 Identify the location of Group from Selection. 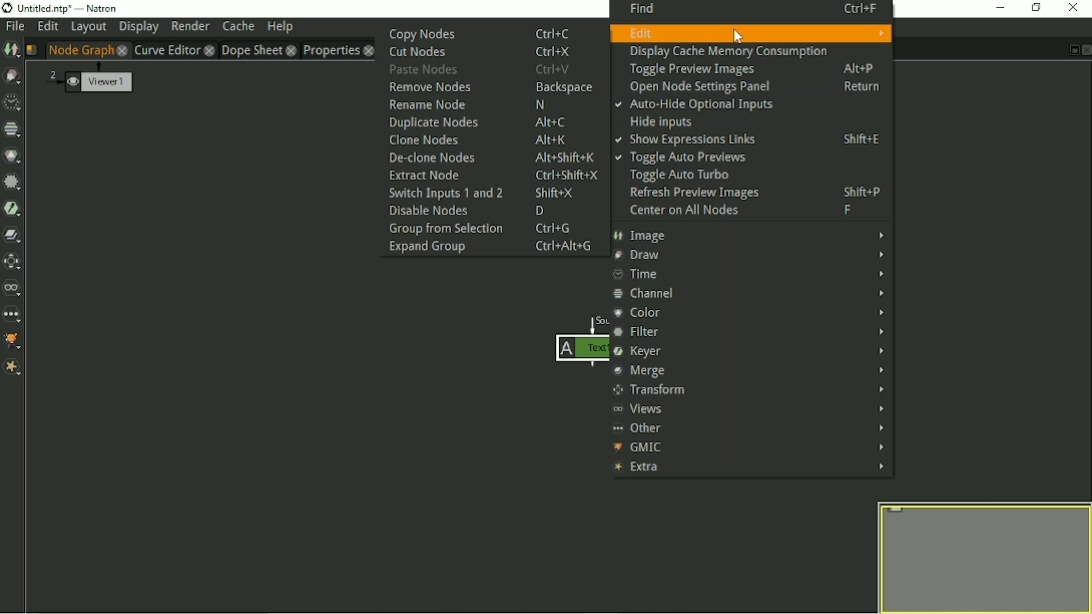
(490, 229).